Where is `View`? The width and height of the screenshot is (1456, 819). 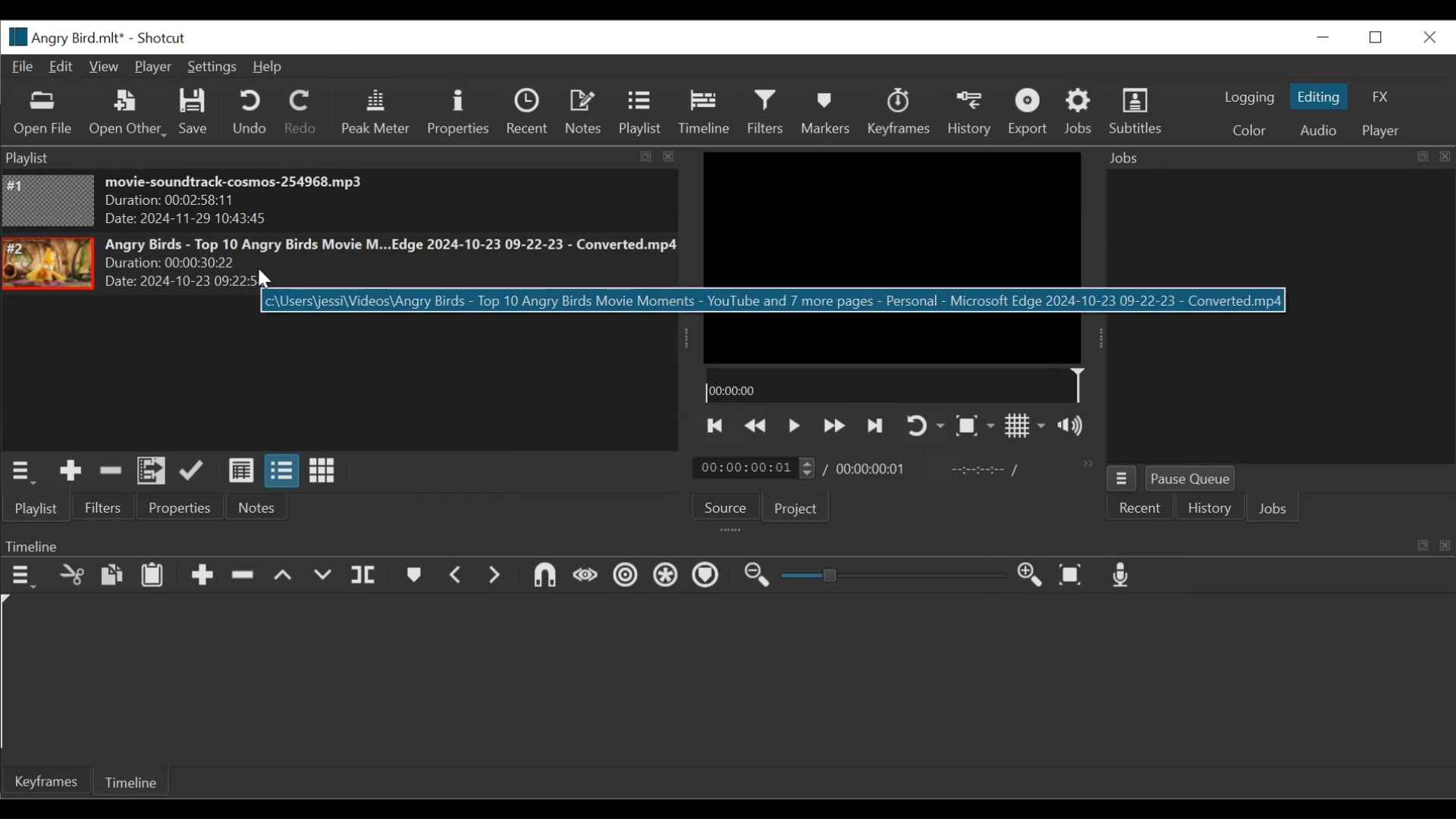
View is located at coordinates (104, 66).